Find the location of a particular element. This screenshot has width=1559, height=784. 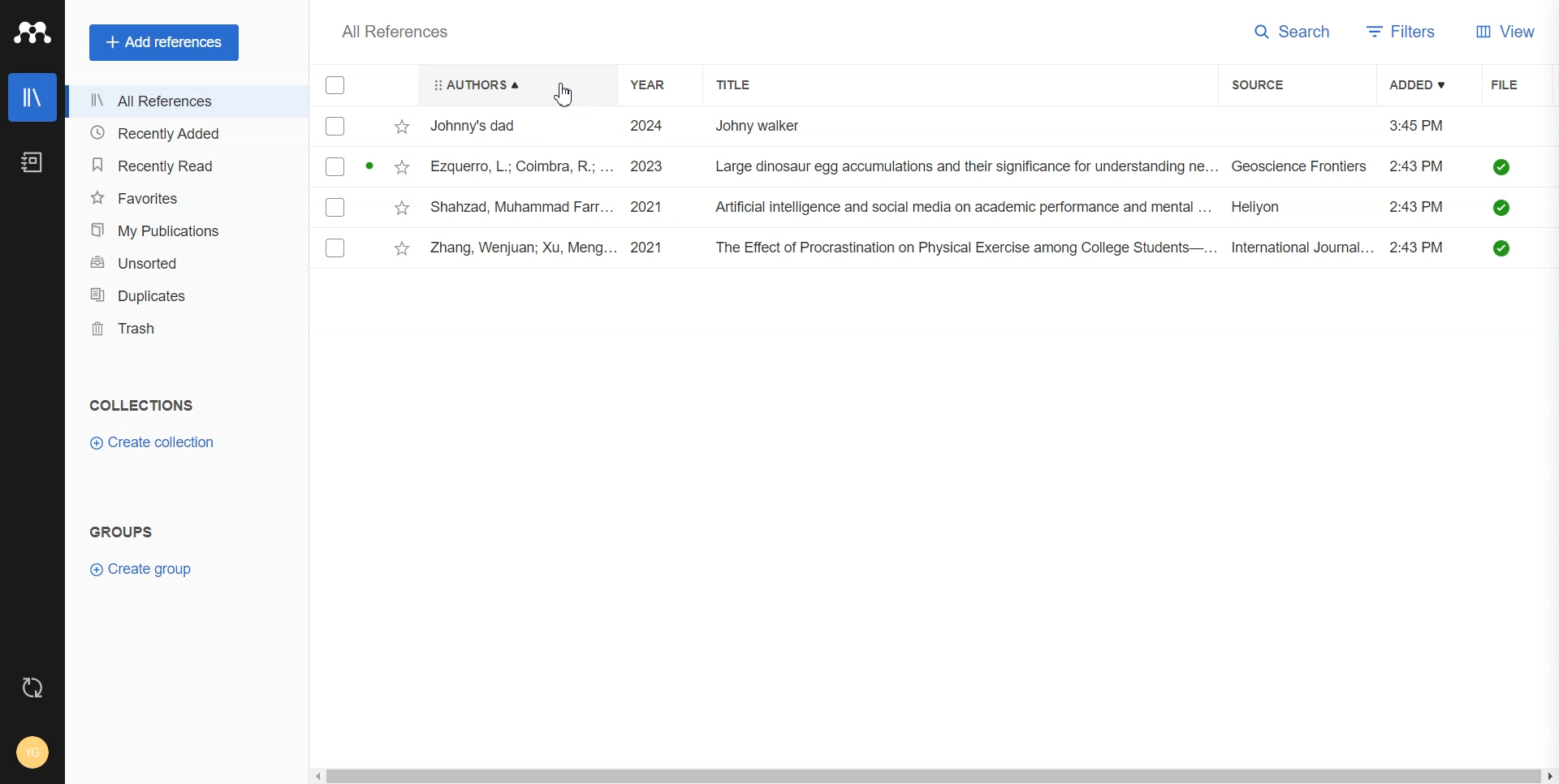

Unsorted is located at coordinates (180, 262).